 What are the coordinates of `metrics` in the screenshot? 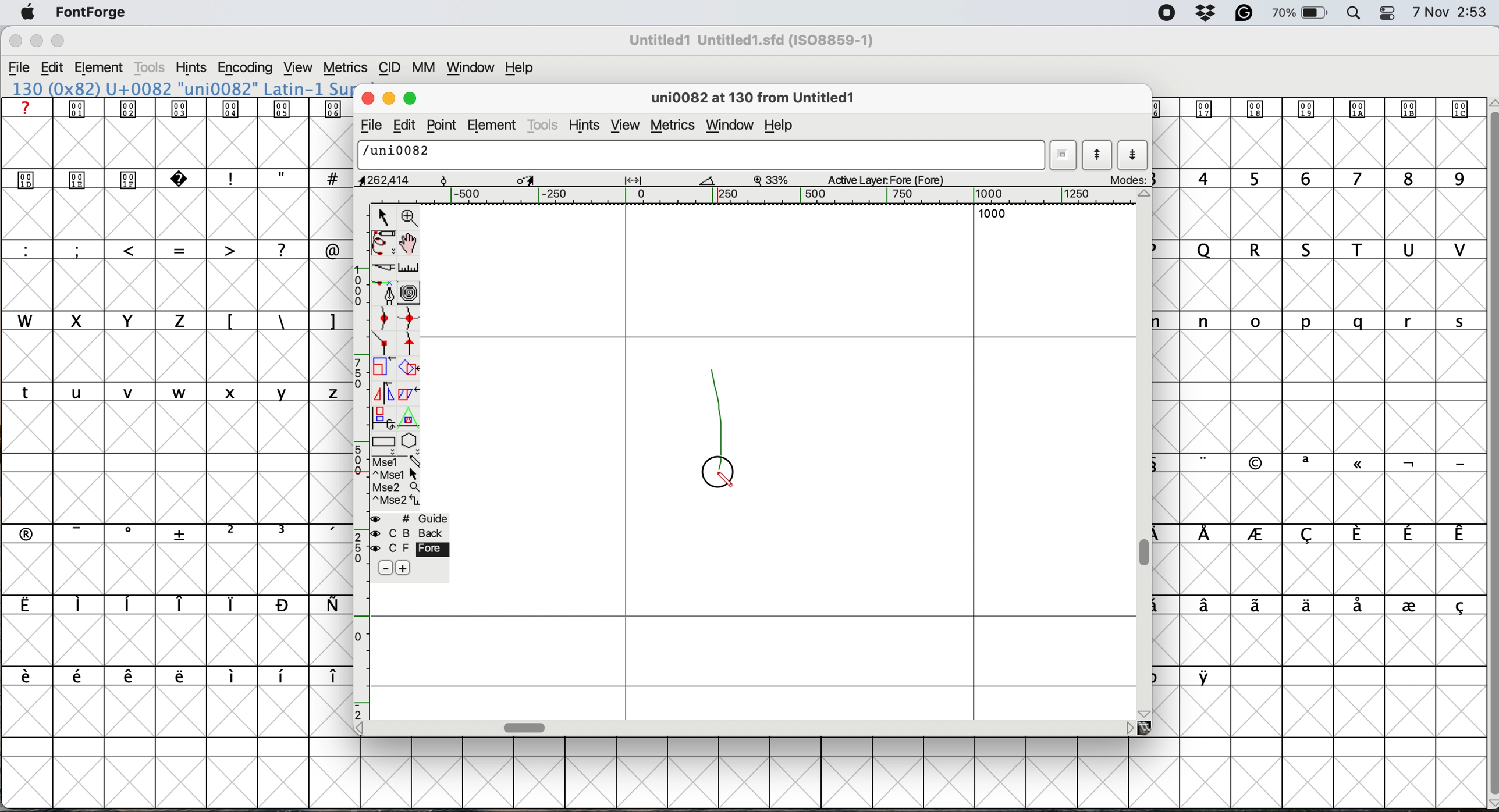 It's located at (672, 125).